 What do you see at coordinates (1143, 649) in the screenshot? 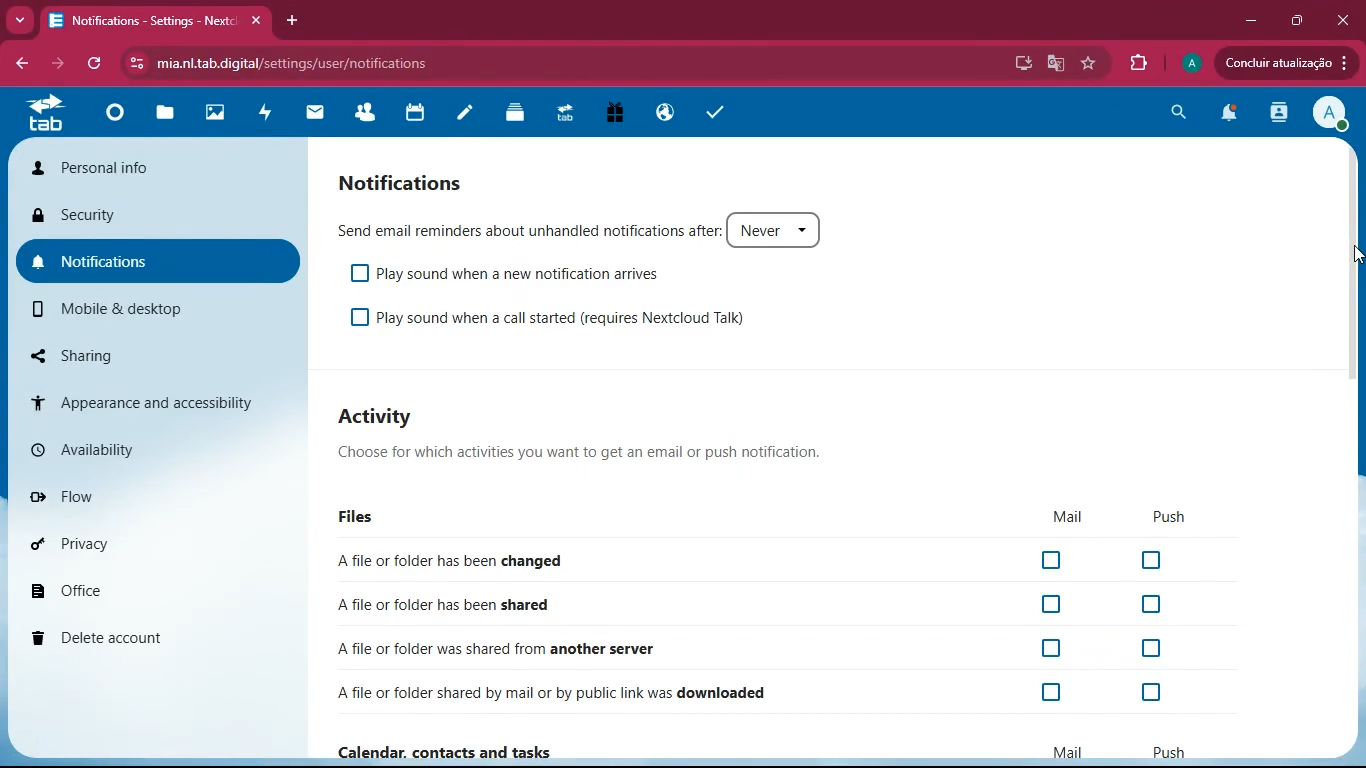
I see `Checkbox` at bounding box center [1143, 649].